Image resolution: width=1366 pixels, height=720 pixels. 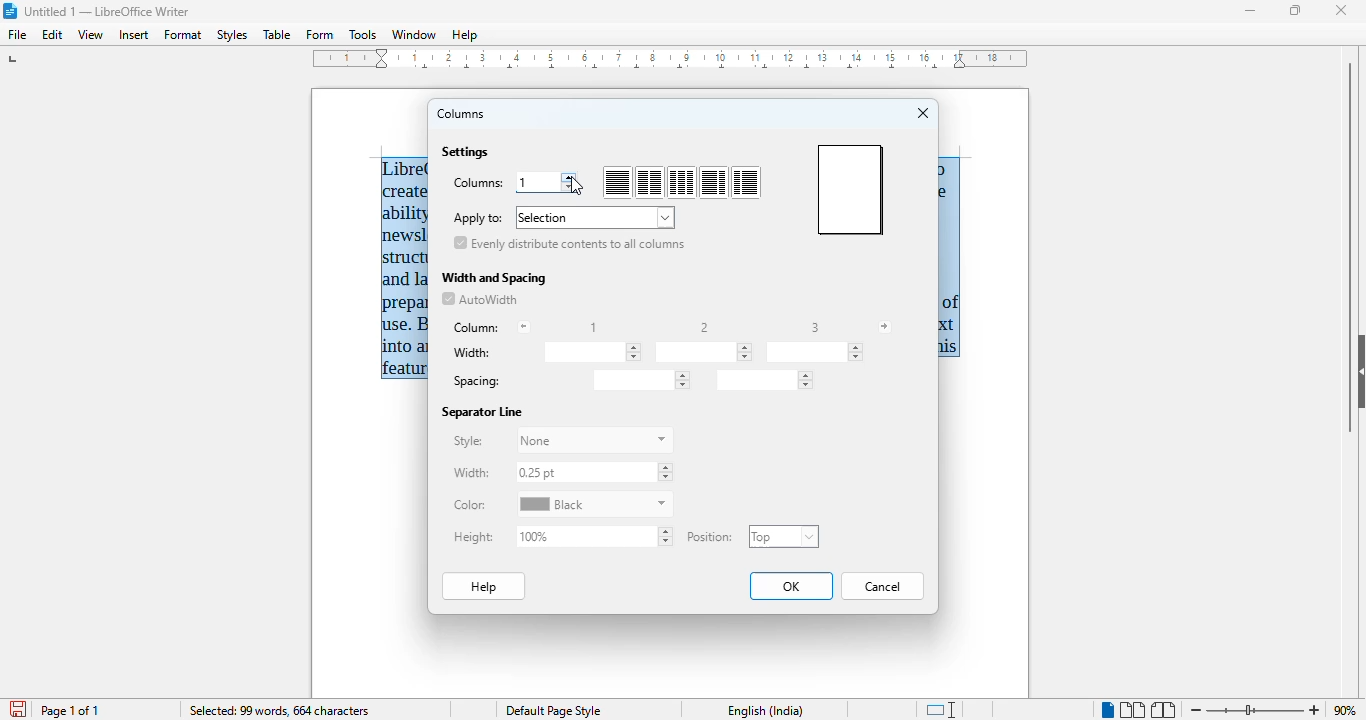 What do you see at coordinates (362, 34) in the screenshot?
I see `tools` at bounding box center [362, 34].